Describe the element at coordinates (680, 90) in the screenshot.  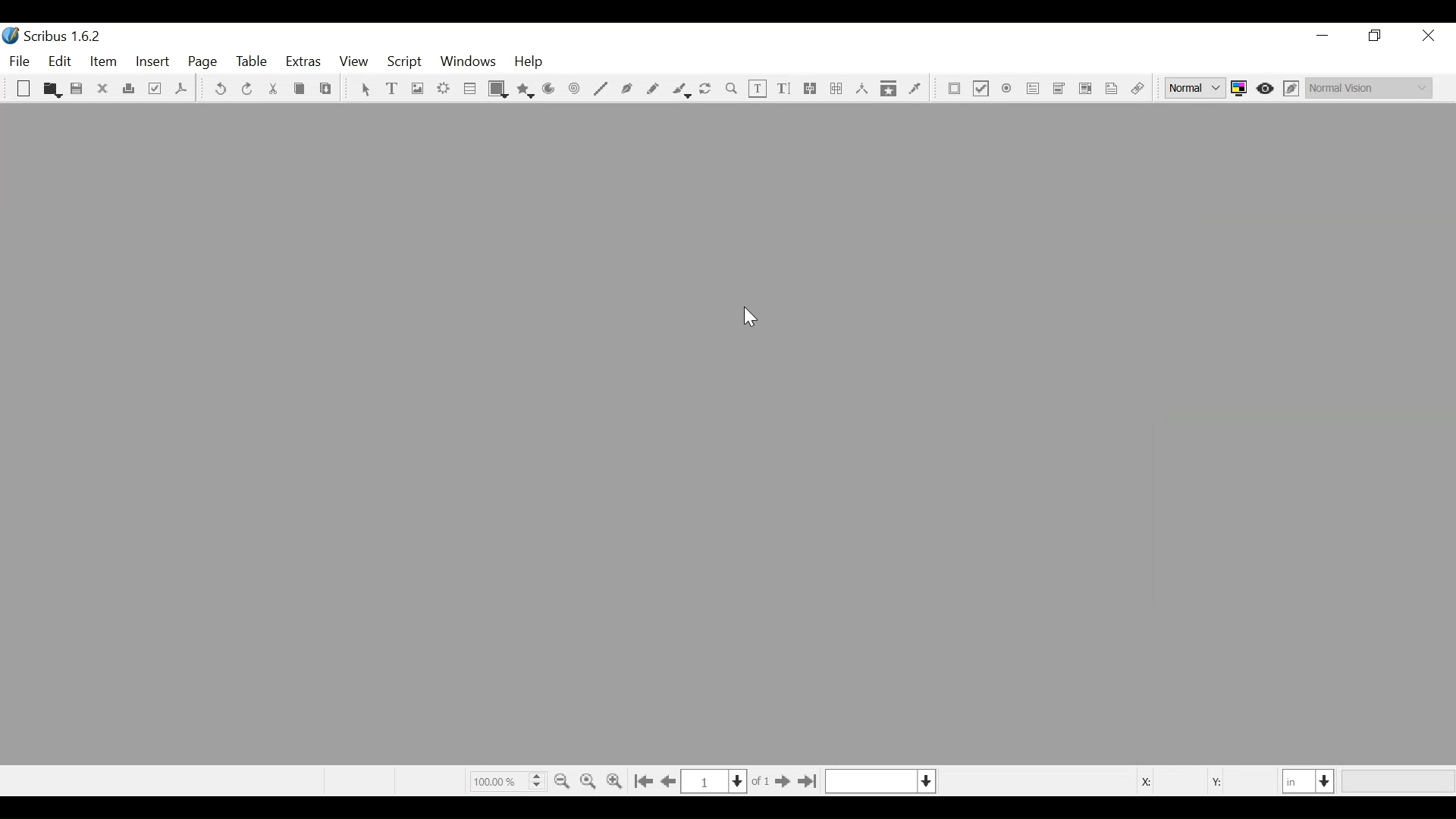
I see `Calligraphic line` at that location.